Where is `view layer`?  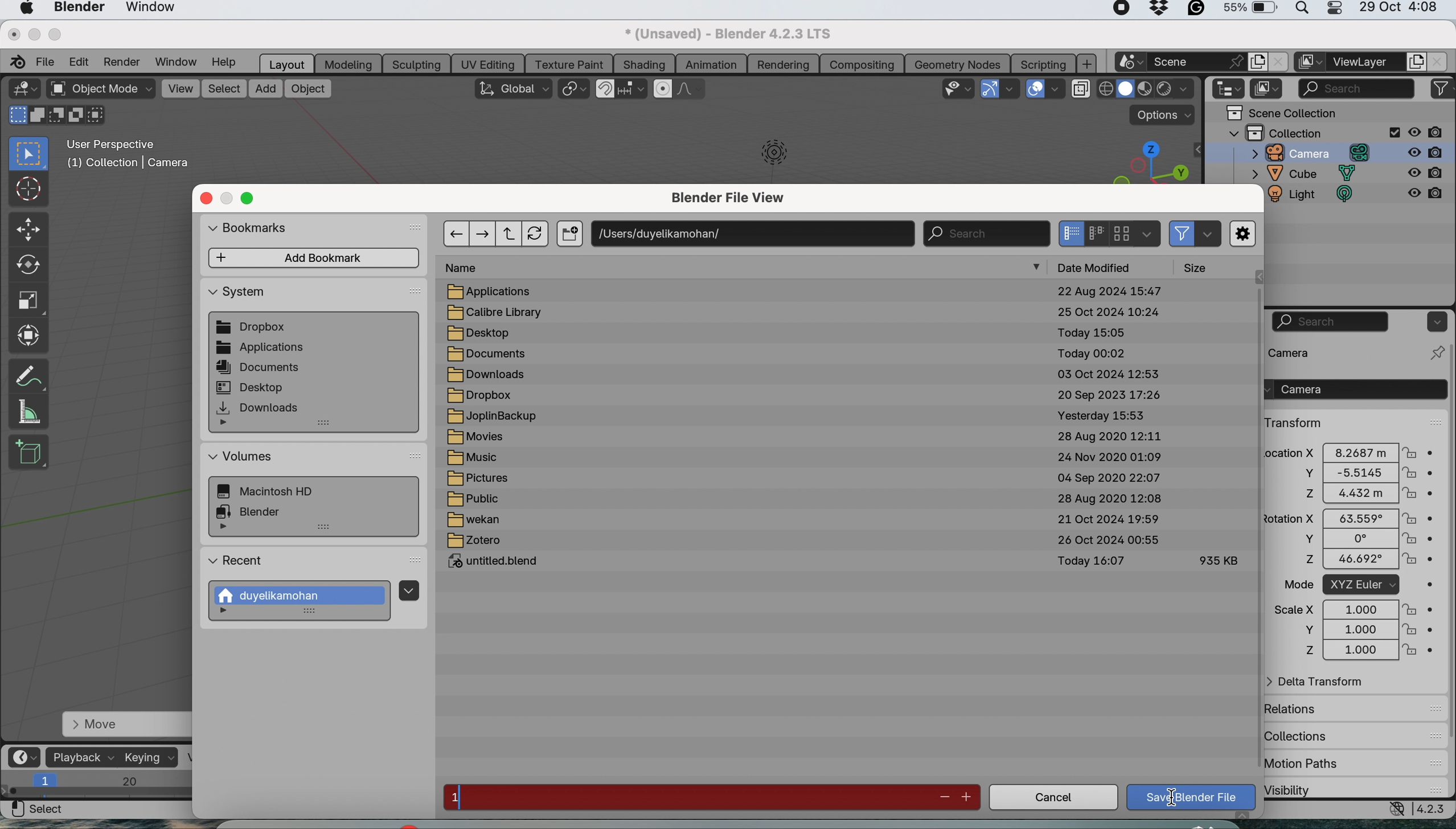
view layer is located at coordinates (1365, 63).